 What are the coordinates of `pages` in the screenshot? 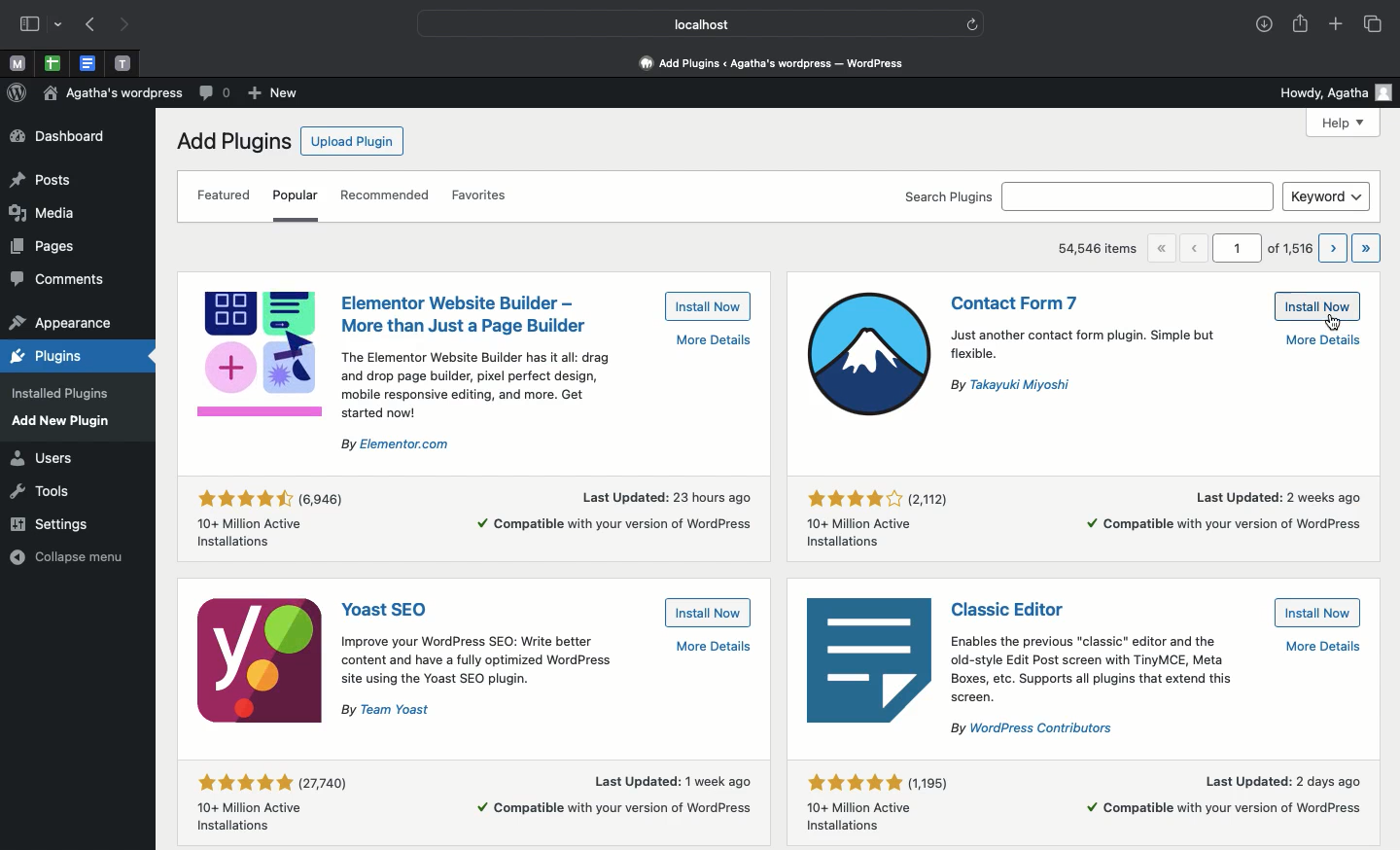 It's located at (43, 246).